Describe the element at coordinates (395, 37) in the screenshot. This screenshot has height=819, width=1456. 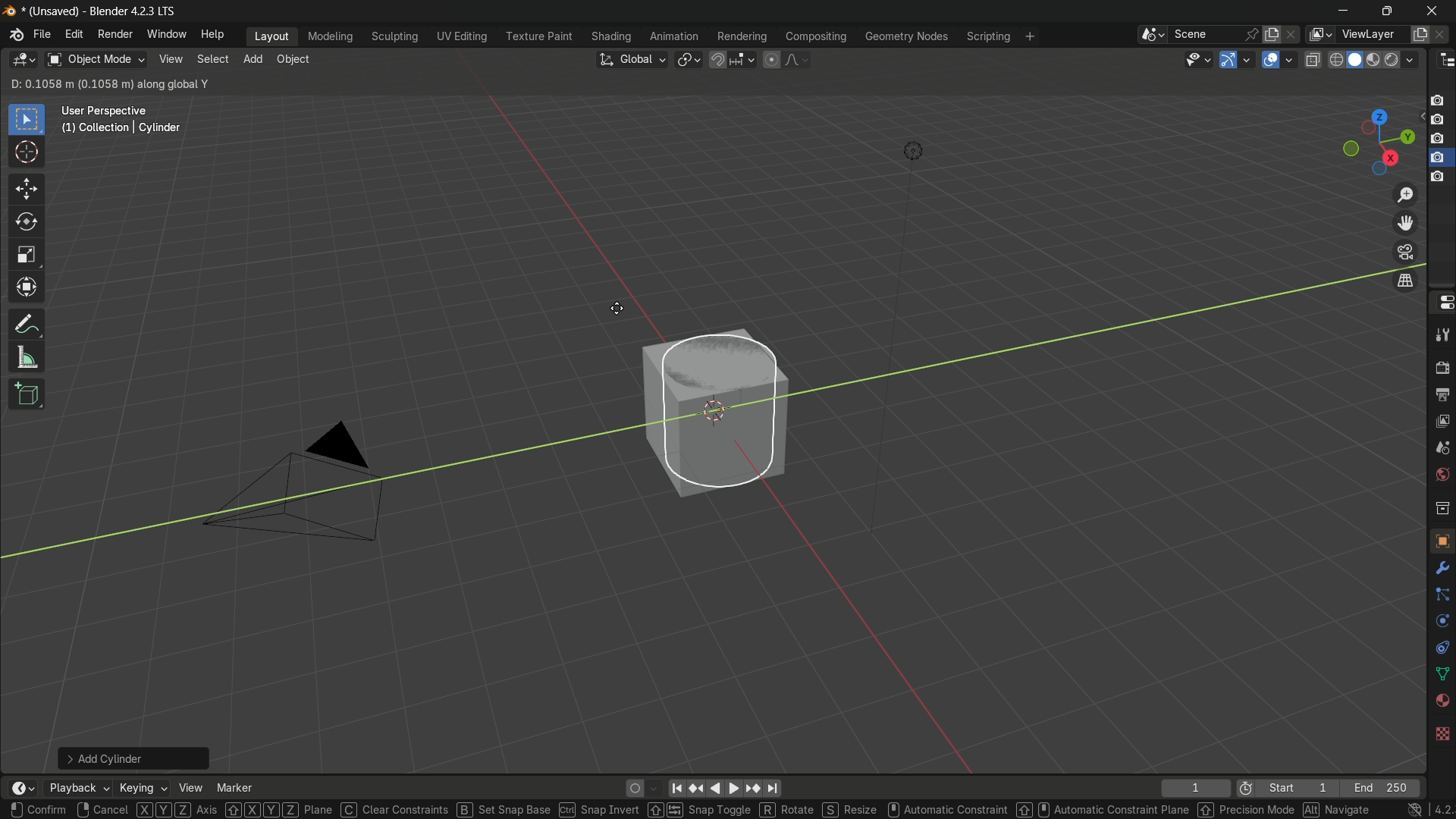
I see `sculpting menu` at that location.